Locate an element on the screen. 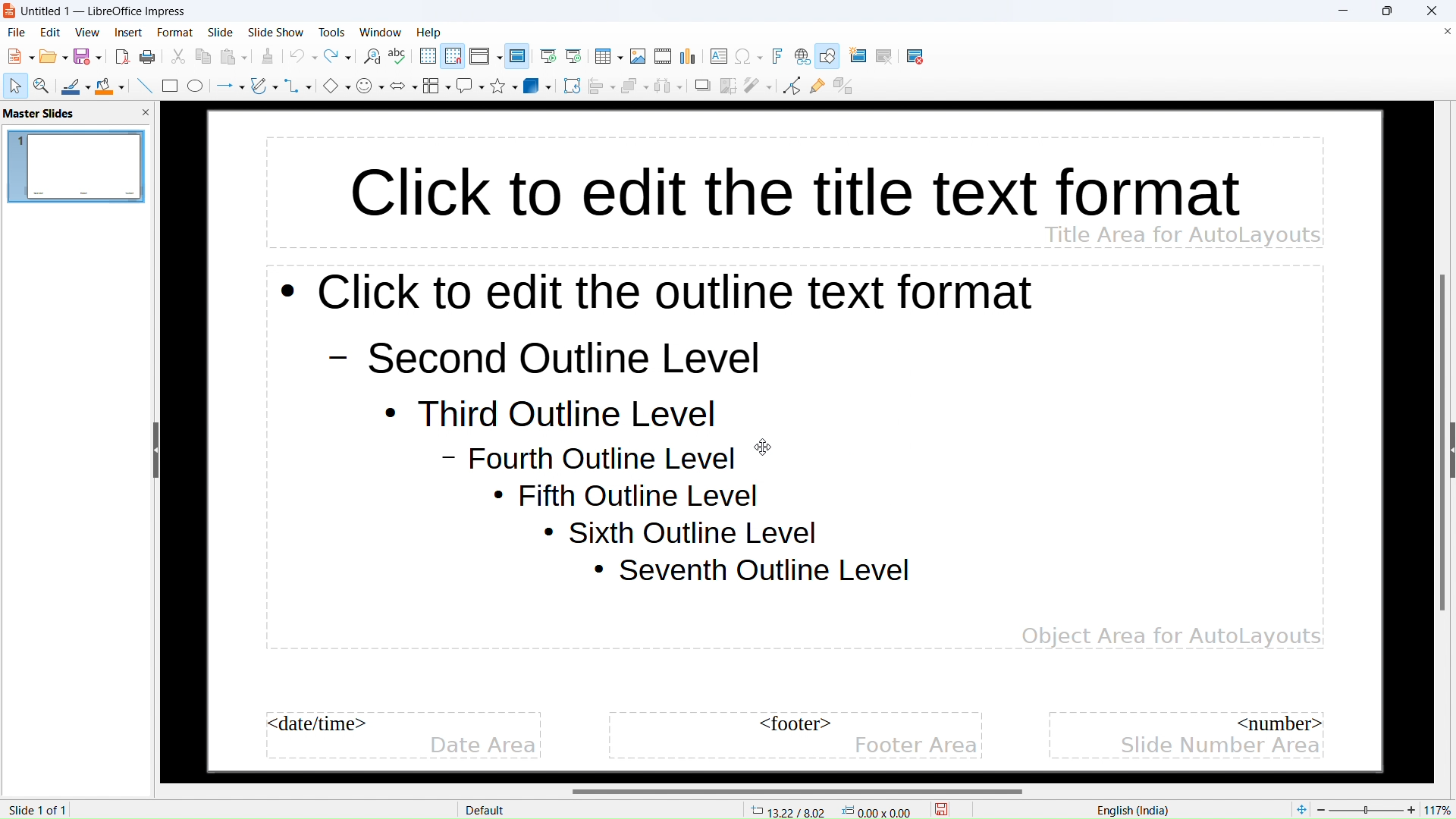 The image size is (1456, 819). dimensions is located at coordinates (877, 811).